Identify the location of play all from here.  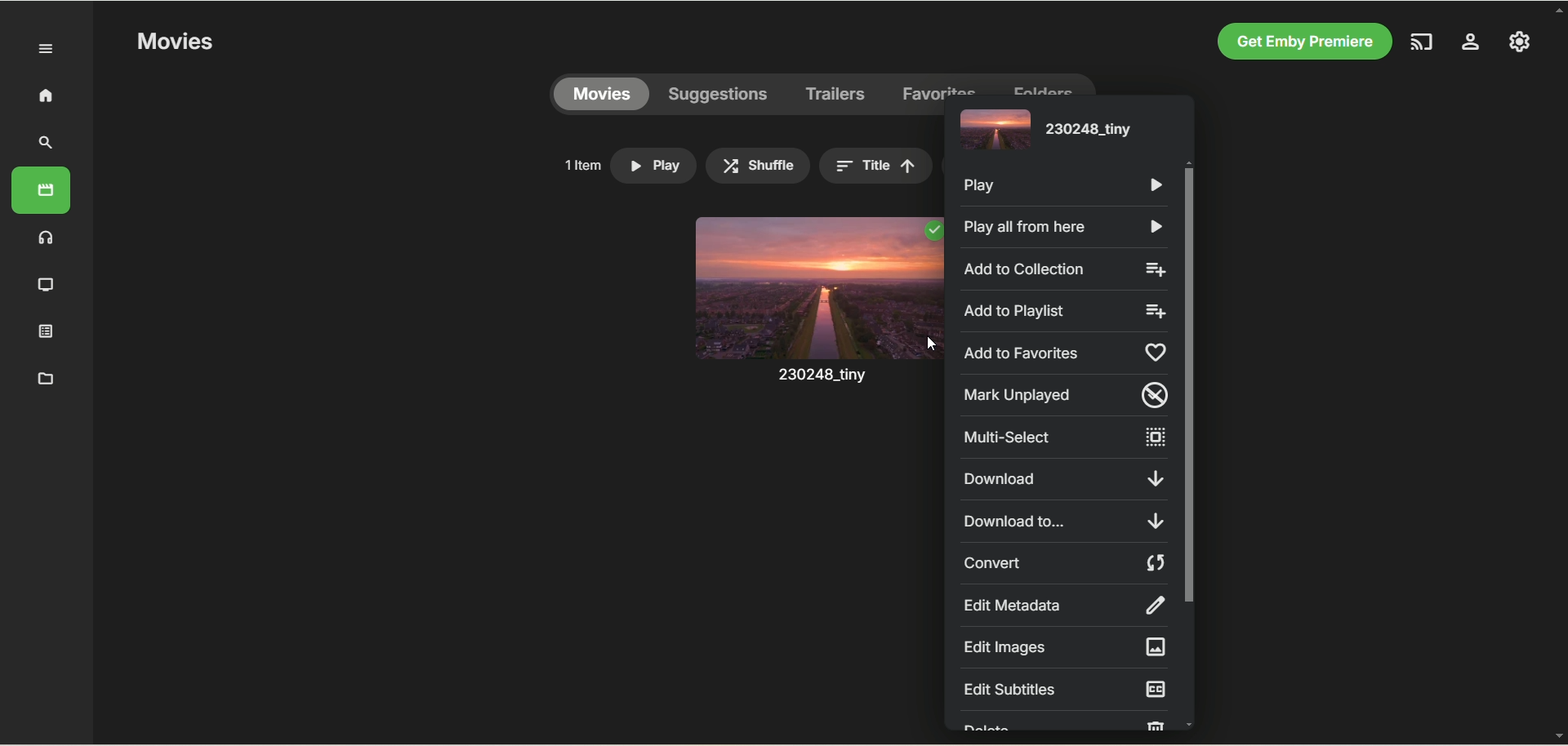
(1060, 228).